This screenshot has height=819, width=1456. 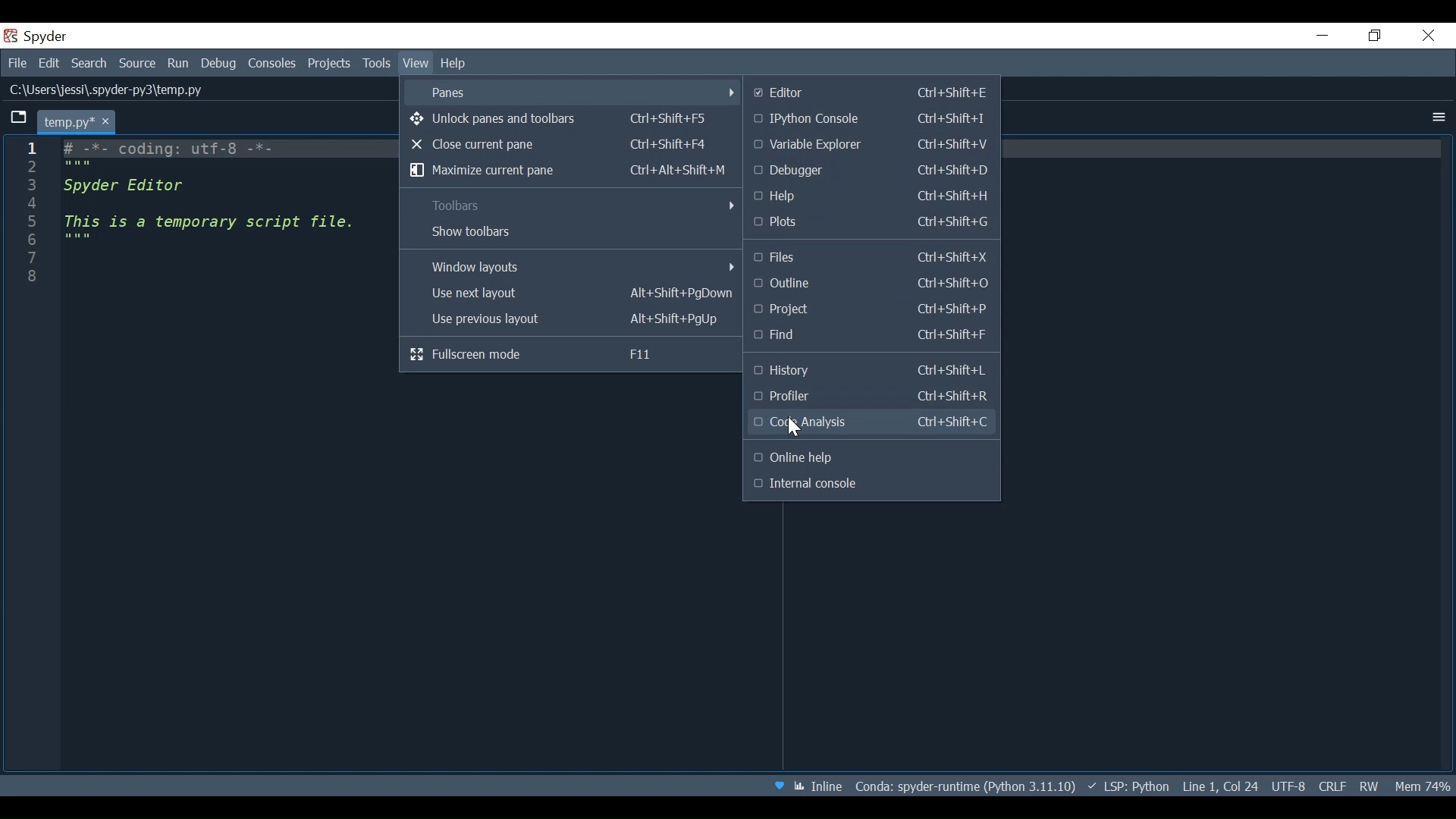 I want to click on Spyder Desktop icon, so click(x=39, y=36).